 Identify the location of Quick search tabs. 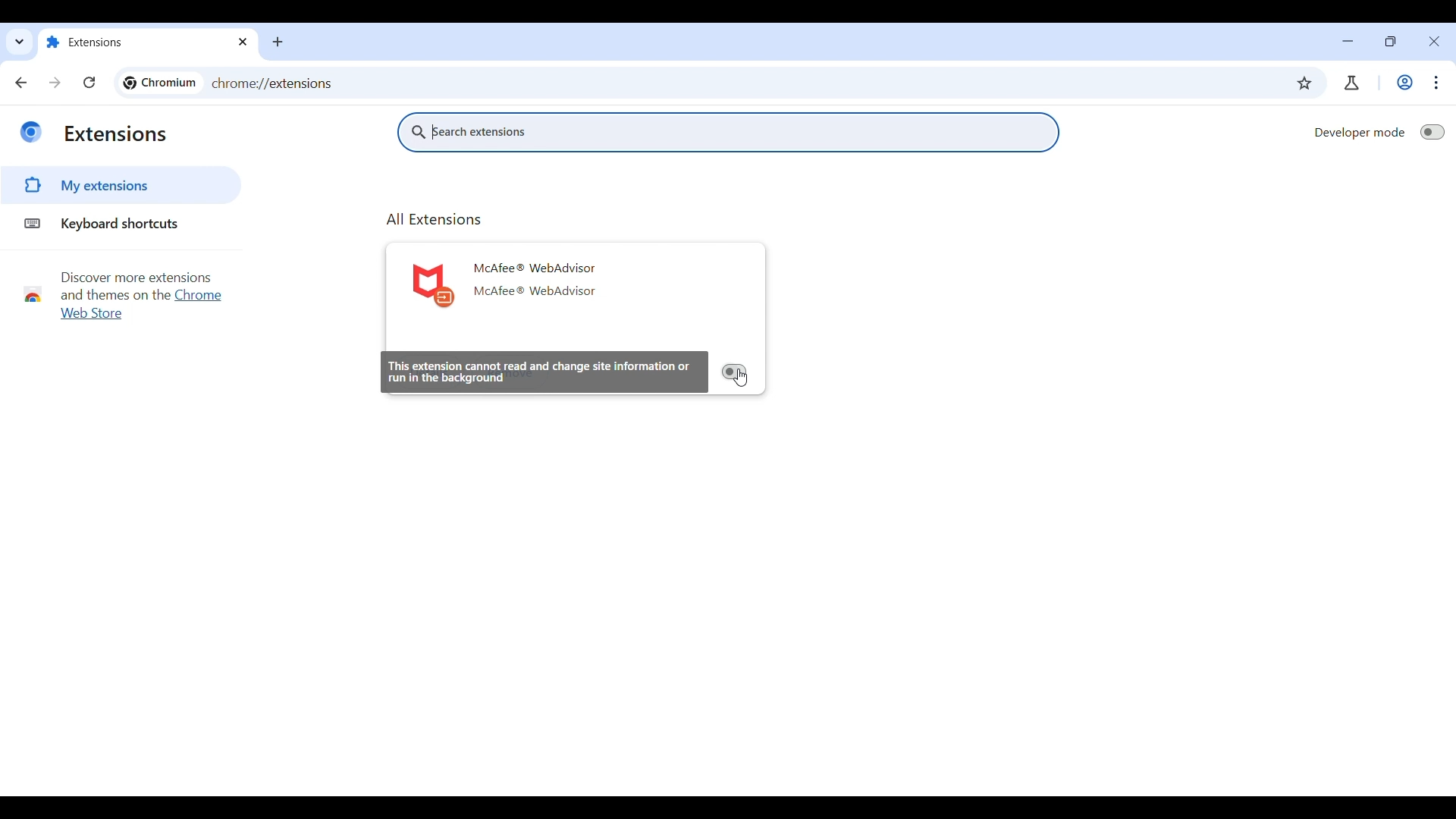
(20, 41).